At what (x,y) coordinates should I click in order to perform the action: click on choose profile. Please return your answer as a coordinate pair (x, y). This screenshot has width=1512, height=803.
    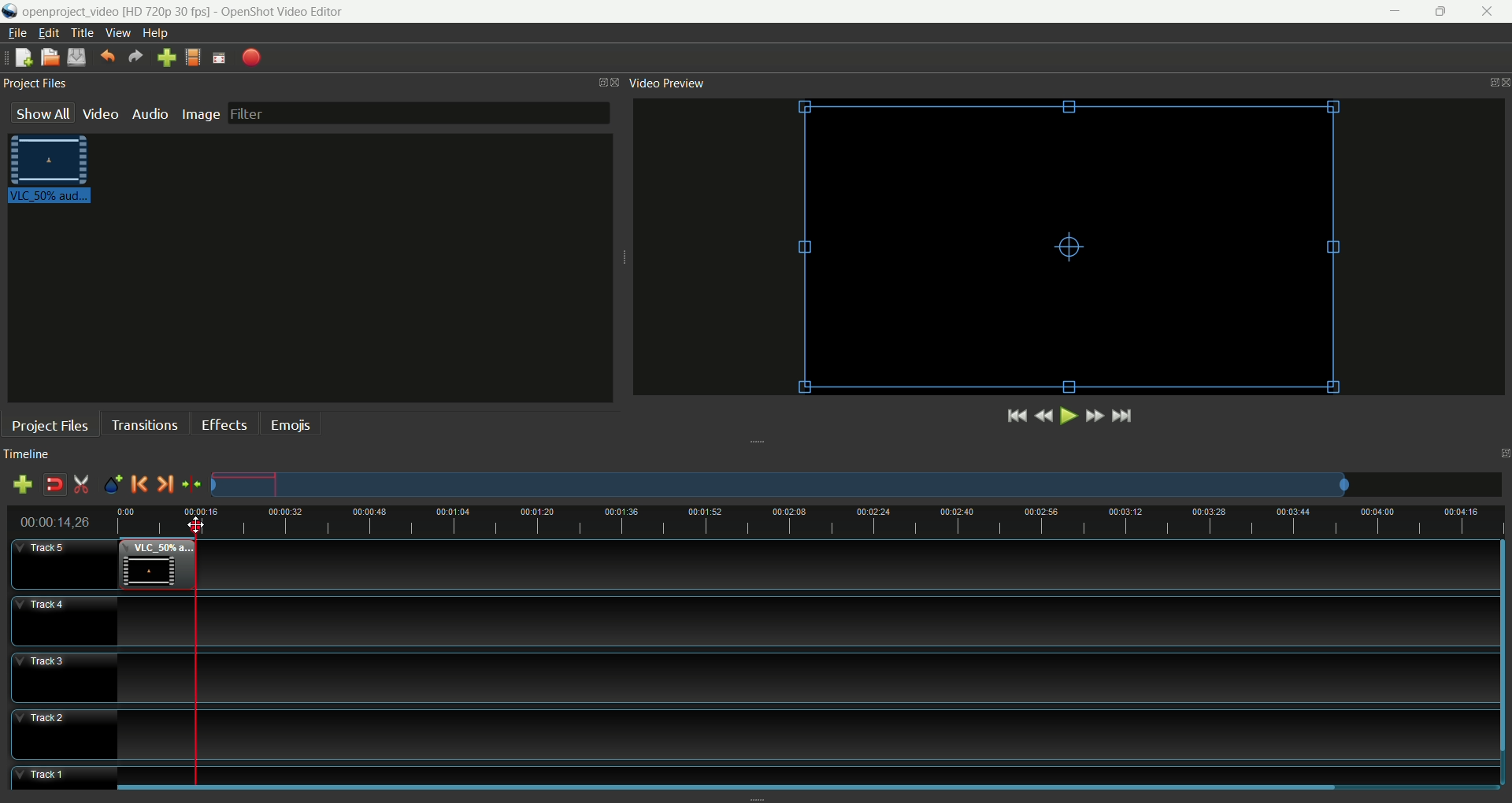
    Looking at the image, I should click on (193, 56).